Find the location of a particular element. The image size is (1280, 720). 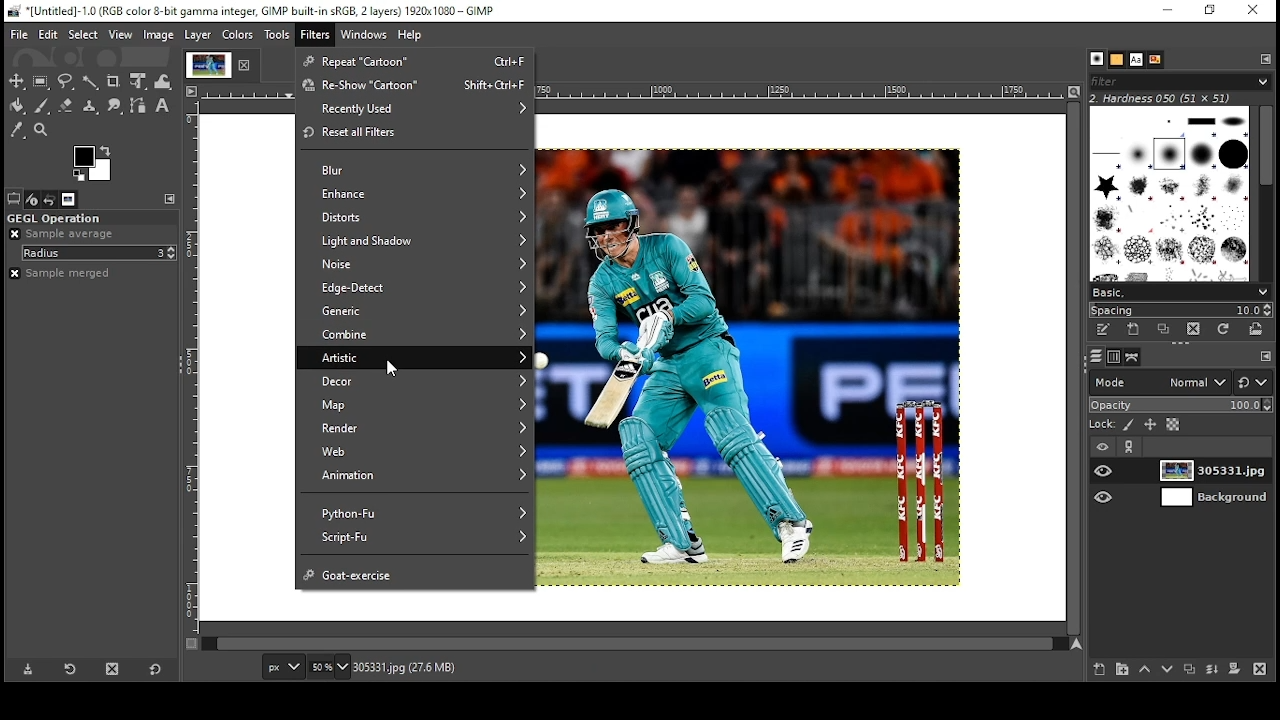

link is located at coordinates (1131, 448).